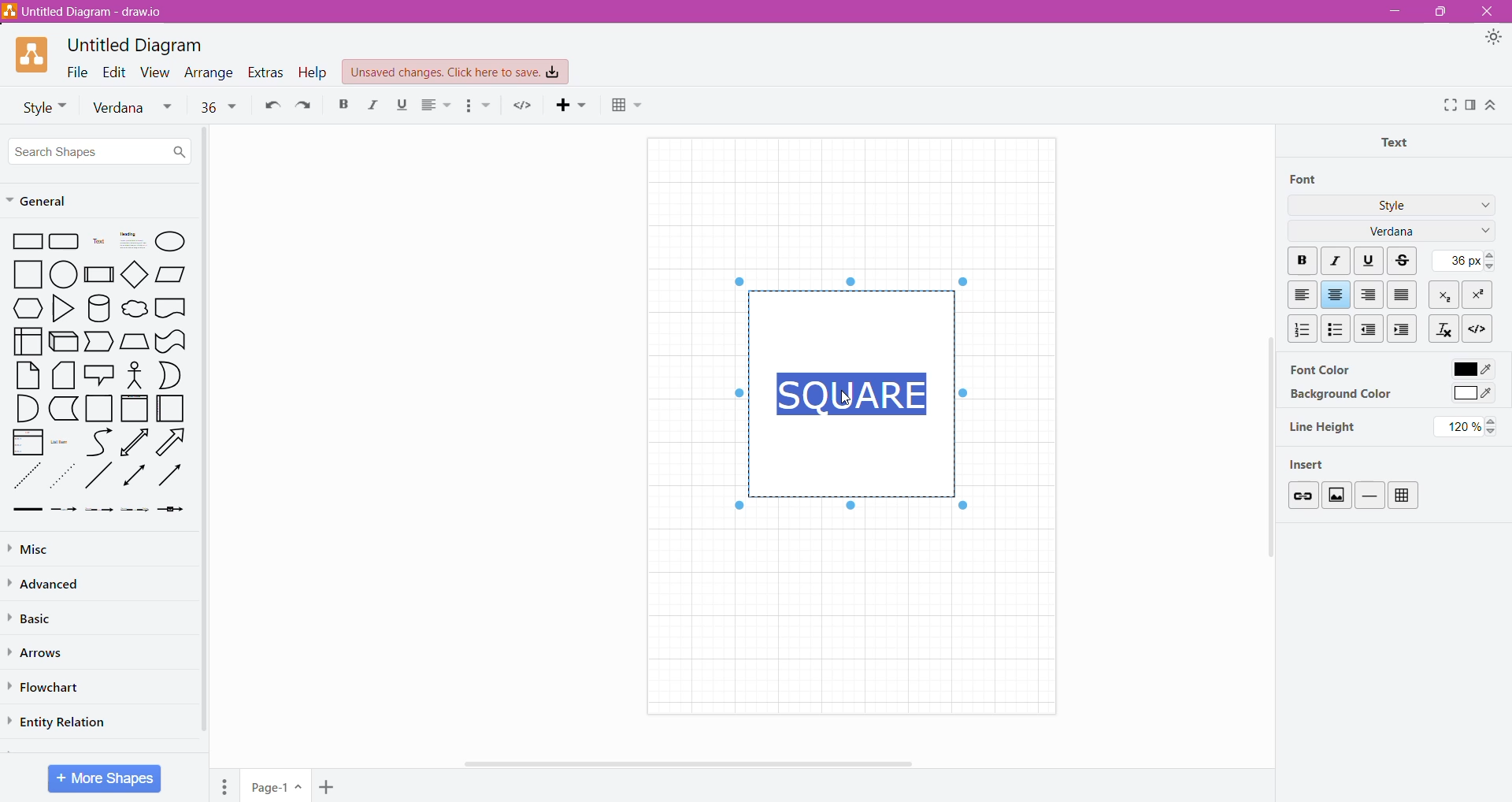 The image size is (1512, 802). What do you see at coordinates (1485, 11) in the screenshot?
I see `Close` at bounding box center [1485, 11].